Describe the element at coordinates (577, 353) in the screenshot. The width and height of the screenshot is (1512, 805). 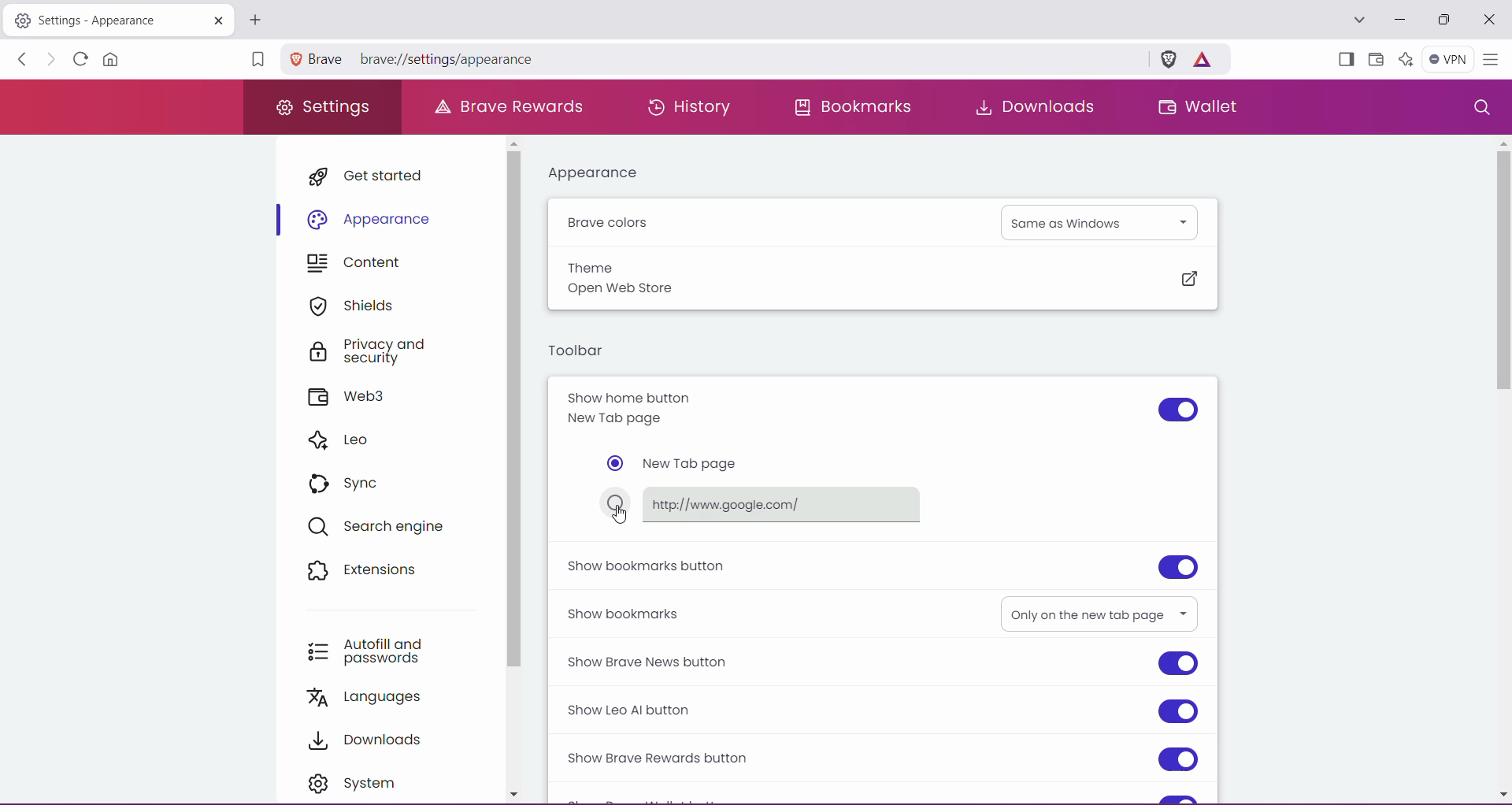
I see `Toolbar` at that location.